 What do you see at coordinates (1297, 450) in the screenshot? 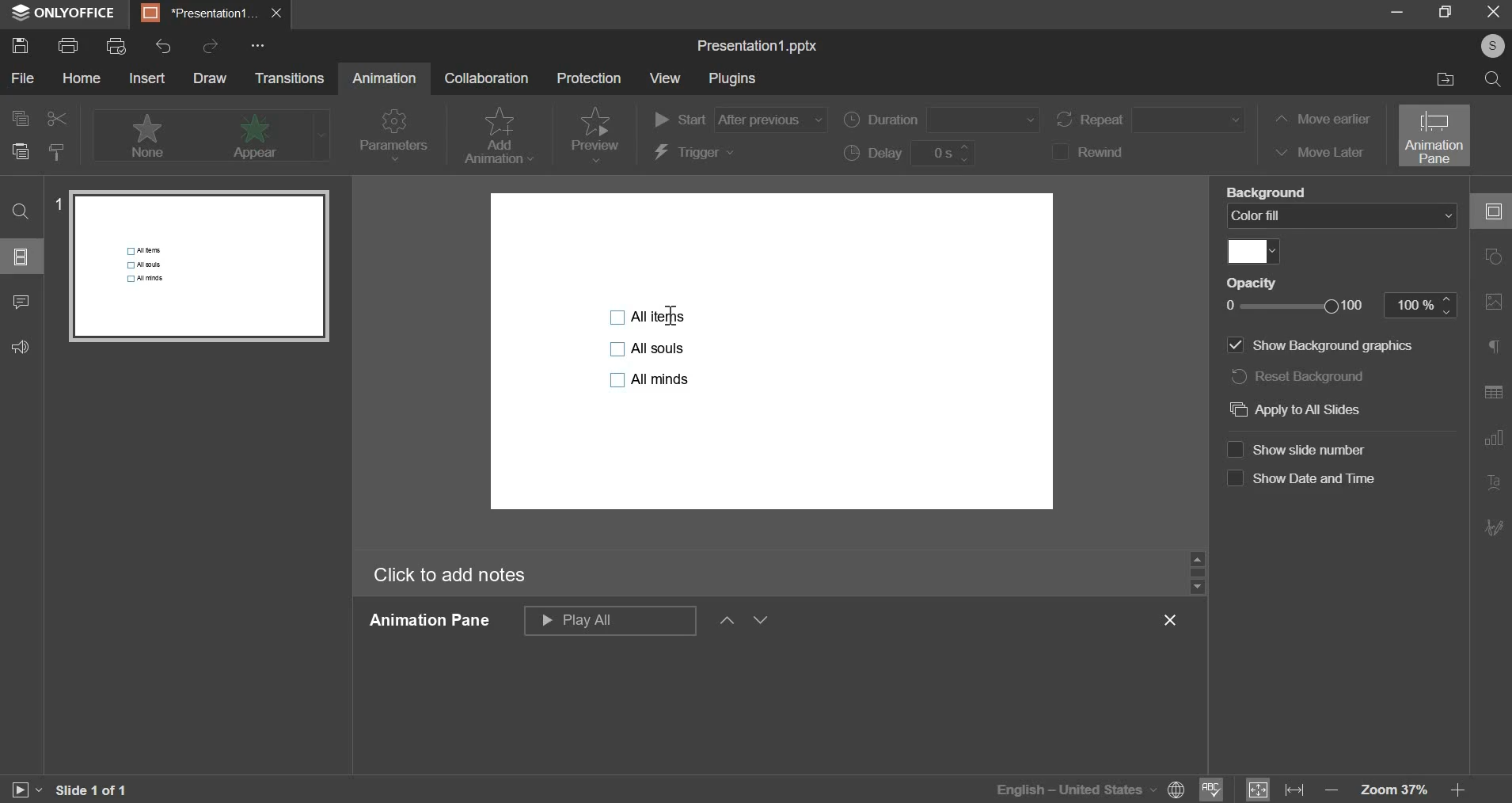
I see `show slide number` at bounding box center [1297, 450].